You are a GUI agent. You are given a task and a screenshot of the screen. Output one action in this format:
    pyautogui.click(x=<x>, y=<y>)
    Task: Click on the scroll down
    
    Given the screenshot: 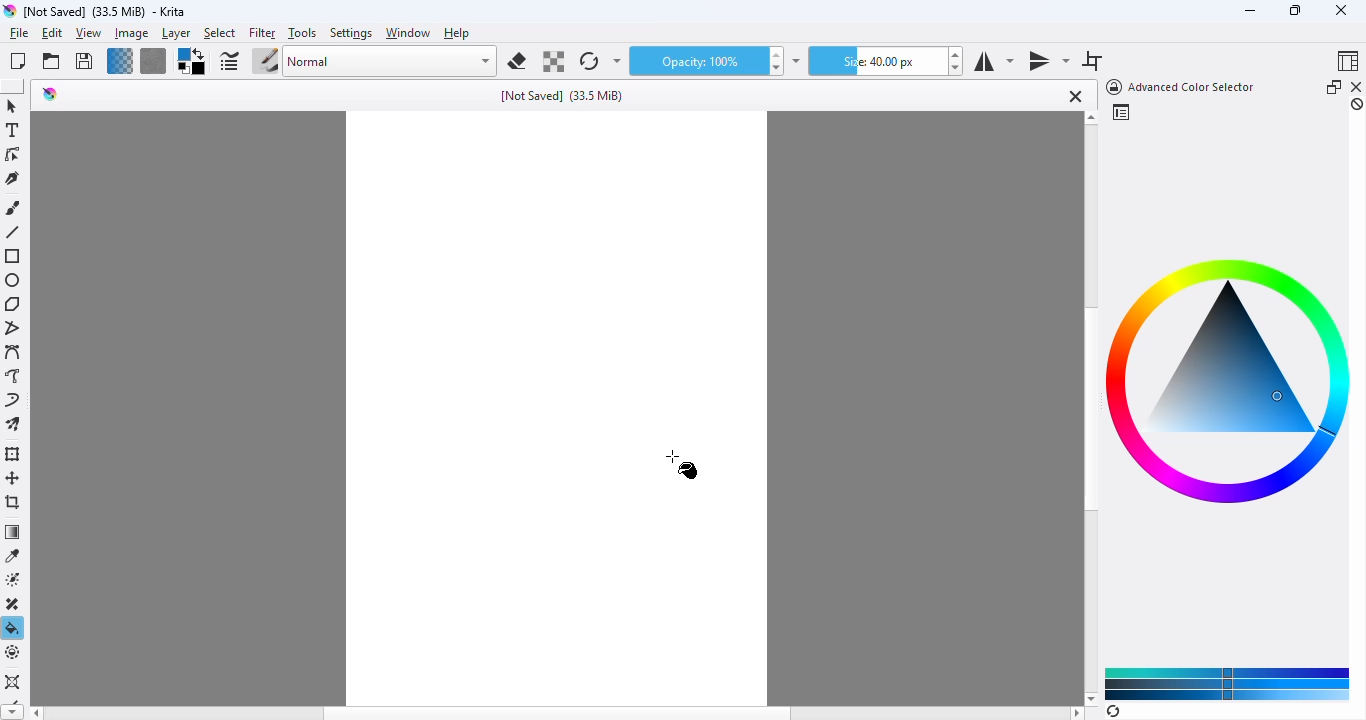 What is the action you would take?
    pyautogui.click(x=12, y=712)
    